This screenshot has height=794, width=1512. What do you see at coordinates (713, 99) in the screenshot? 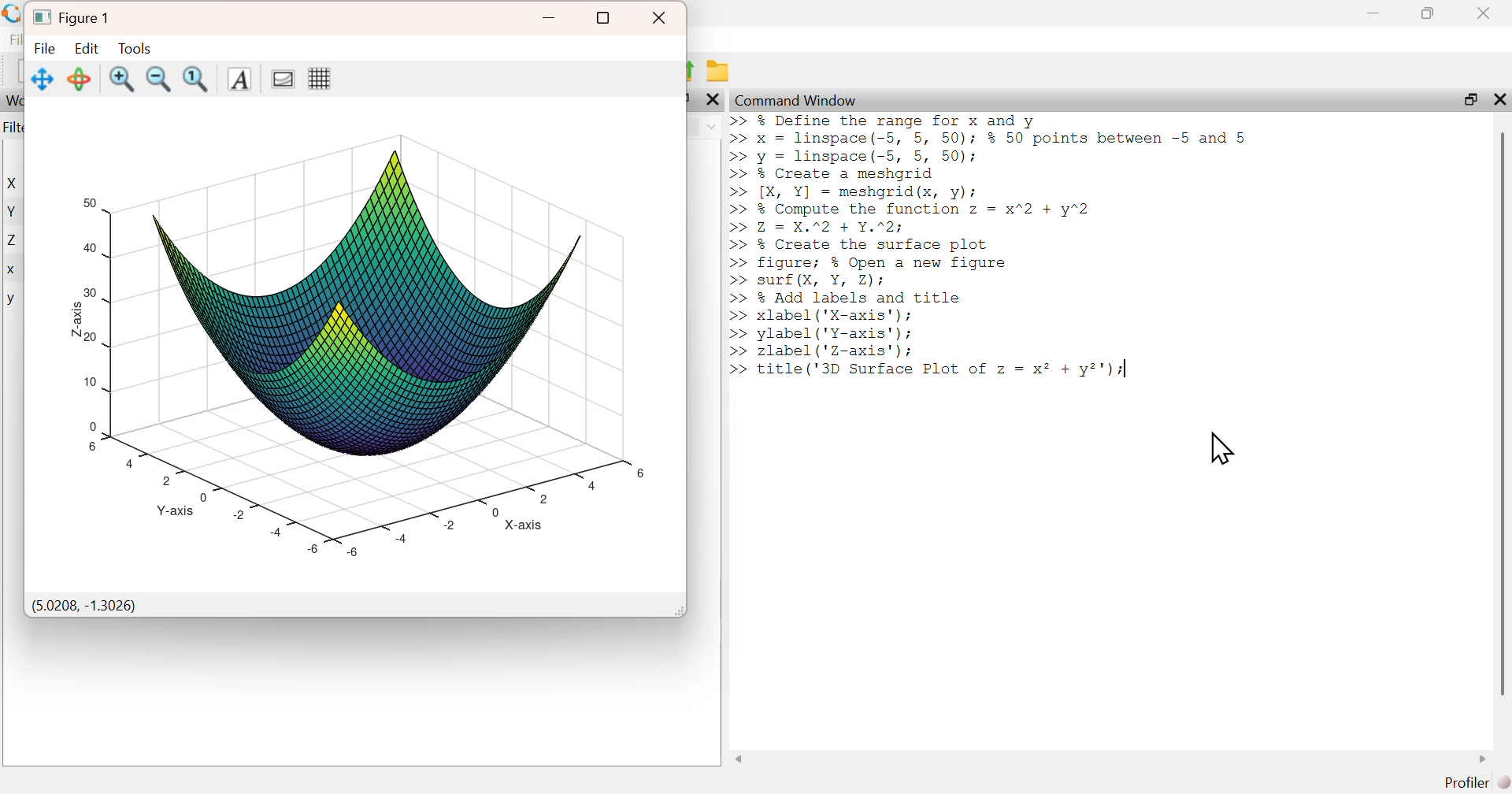
I see `close` at bounding box center [713, 99].